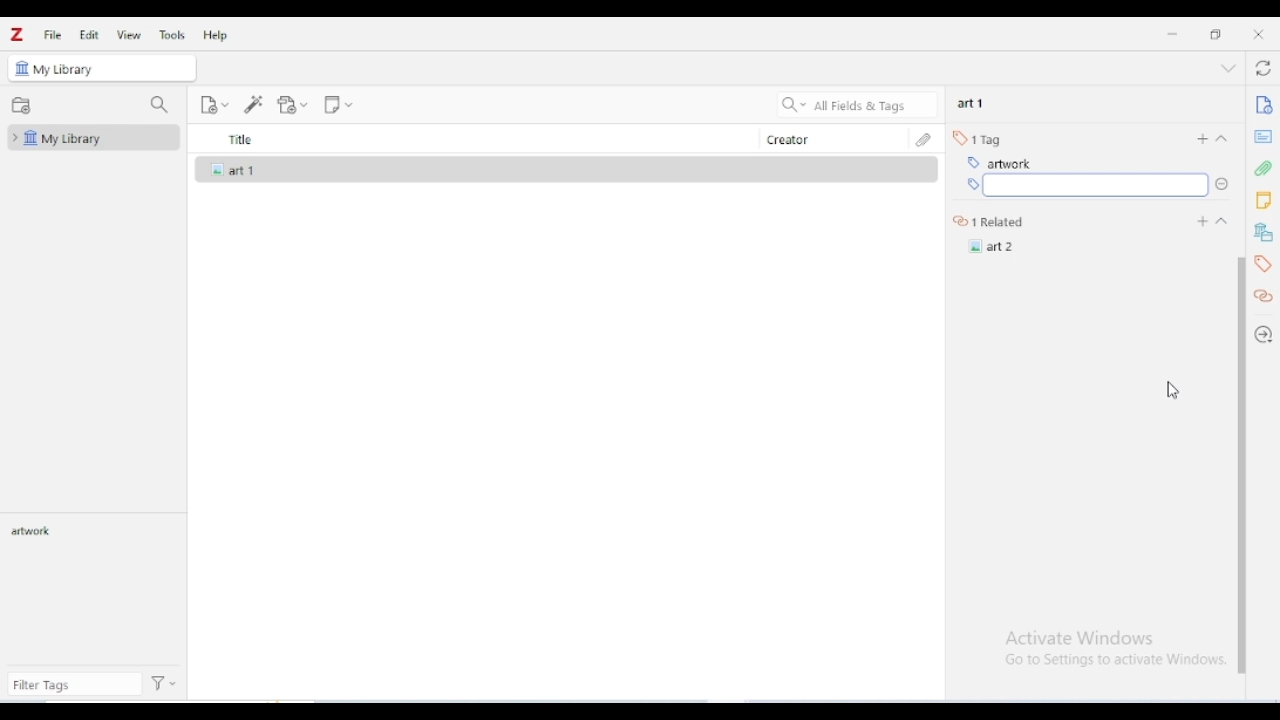 The image size is (1280, 720). What do you see at coordinates (1225, 184) in the screenshot?
I see `Drop down` at bounding box center [1225, 184].